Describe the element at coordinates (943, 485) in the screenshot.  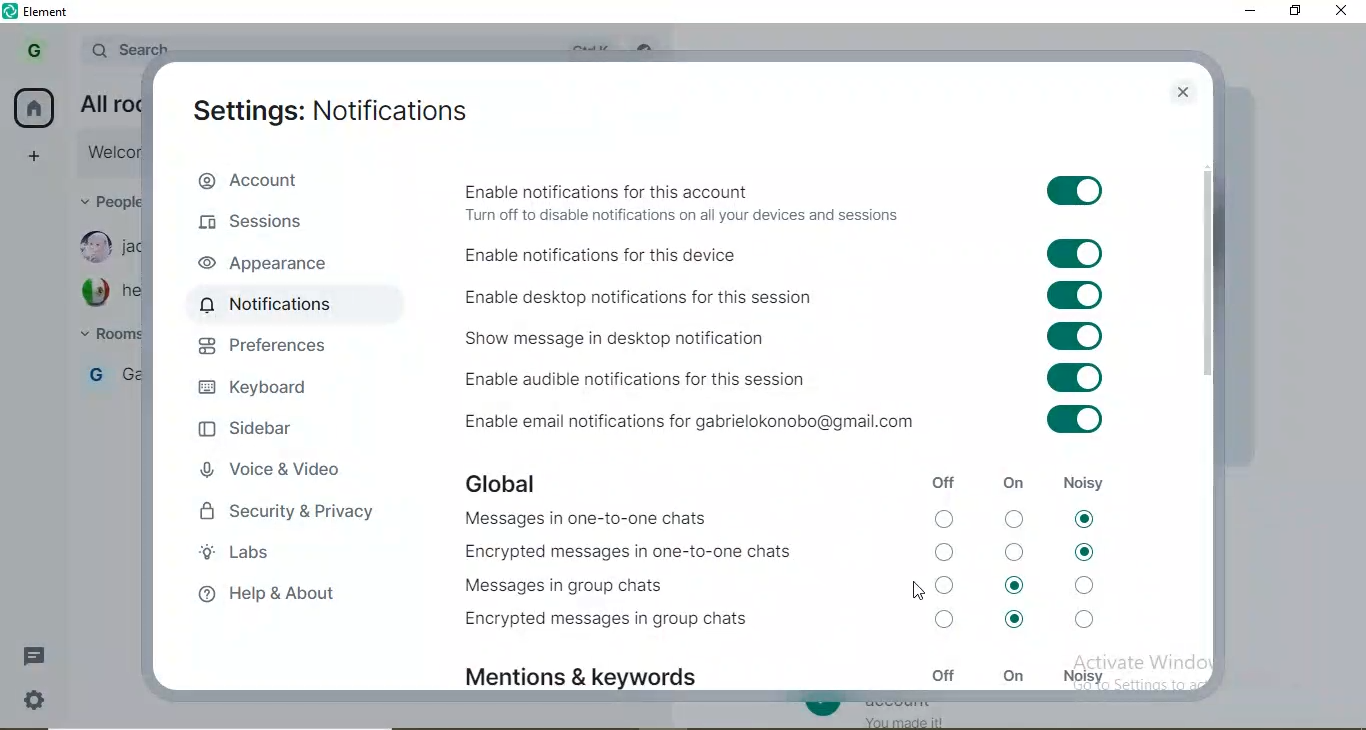
I see `off` at that location.